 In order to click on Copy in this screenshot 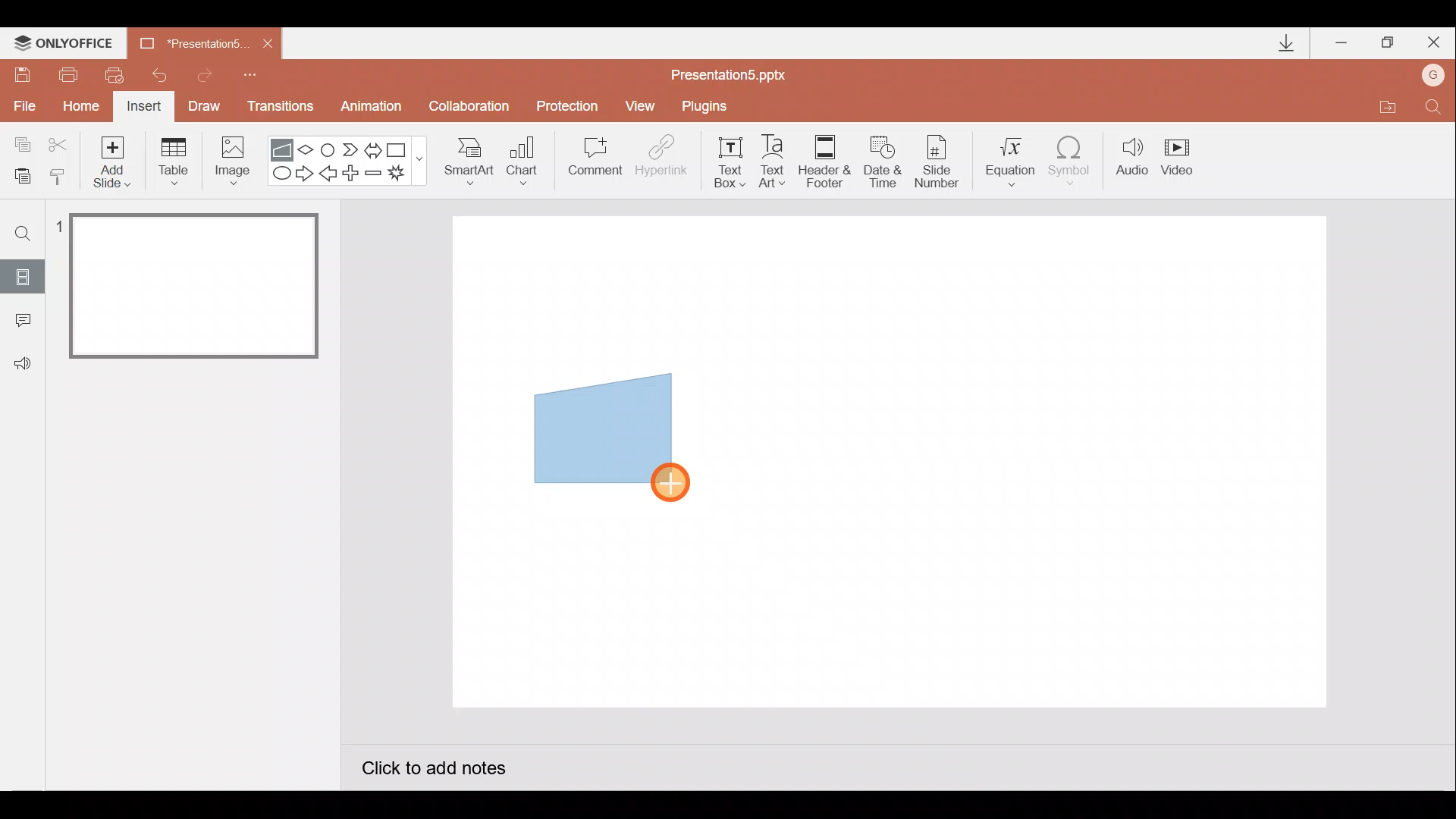, I will do `click(20, 142)`.